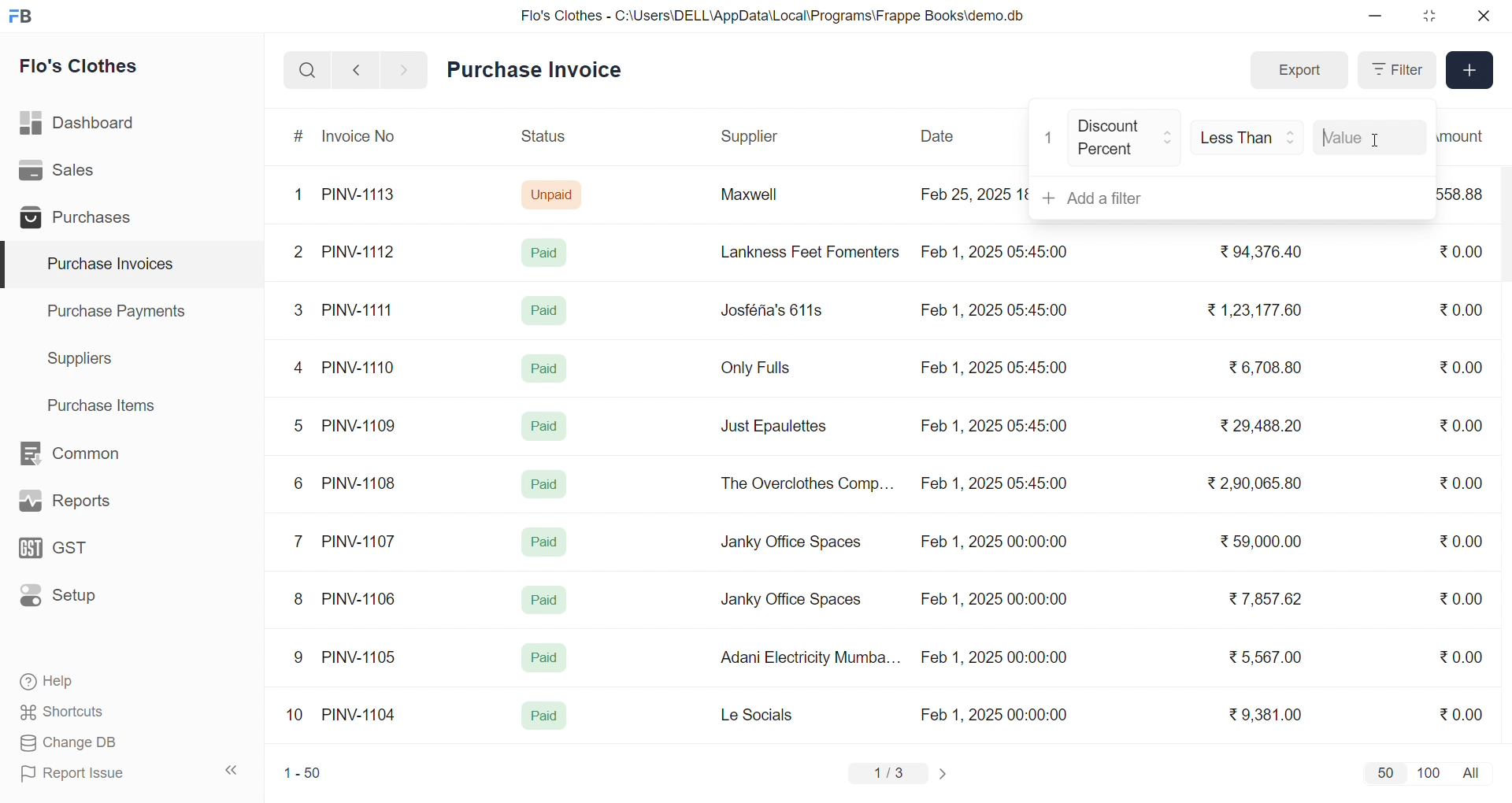 The width and height of the screenshot is (1512, 803). Describe the element at coordinates (1458, 253) in the screenshot. I see `₹0.00` at that location.